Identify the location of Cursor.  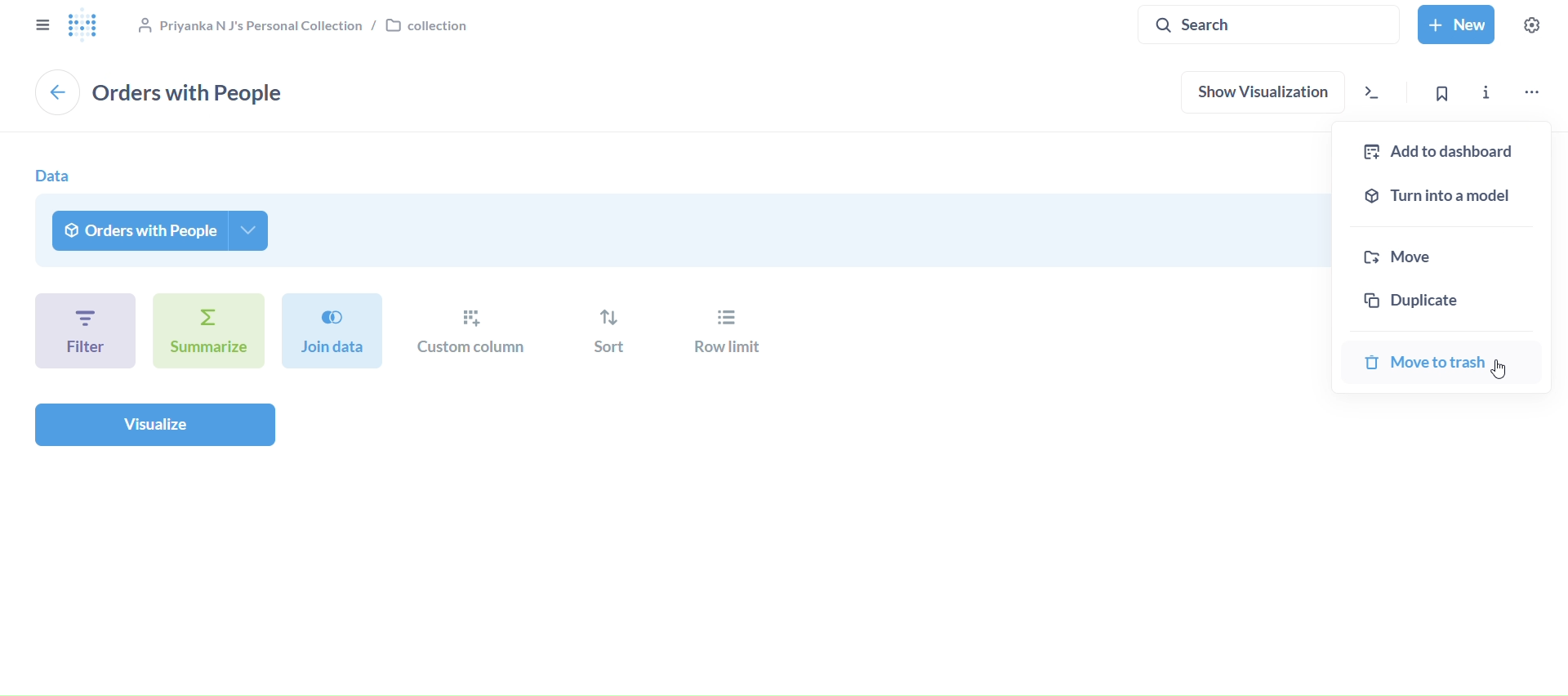
(1502, 369).